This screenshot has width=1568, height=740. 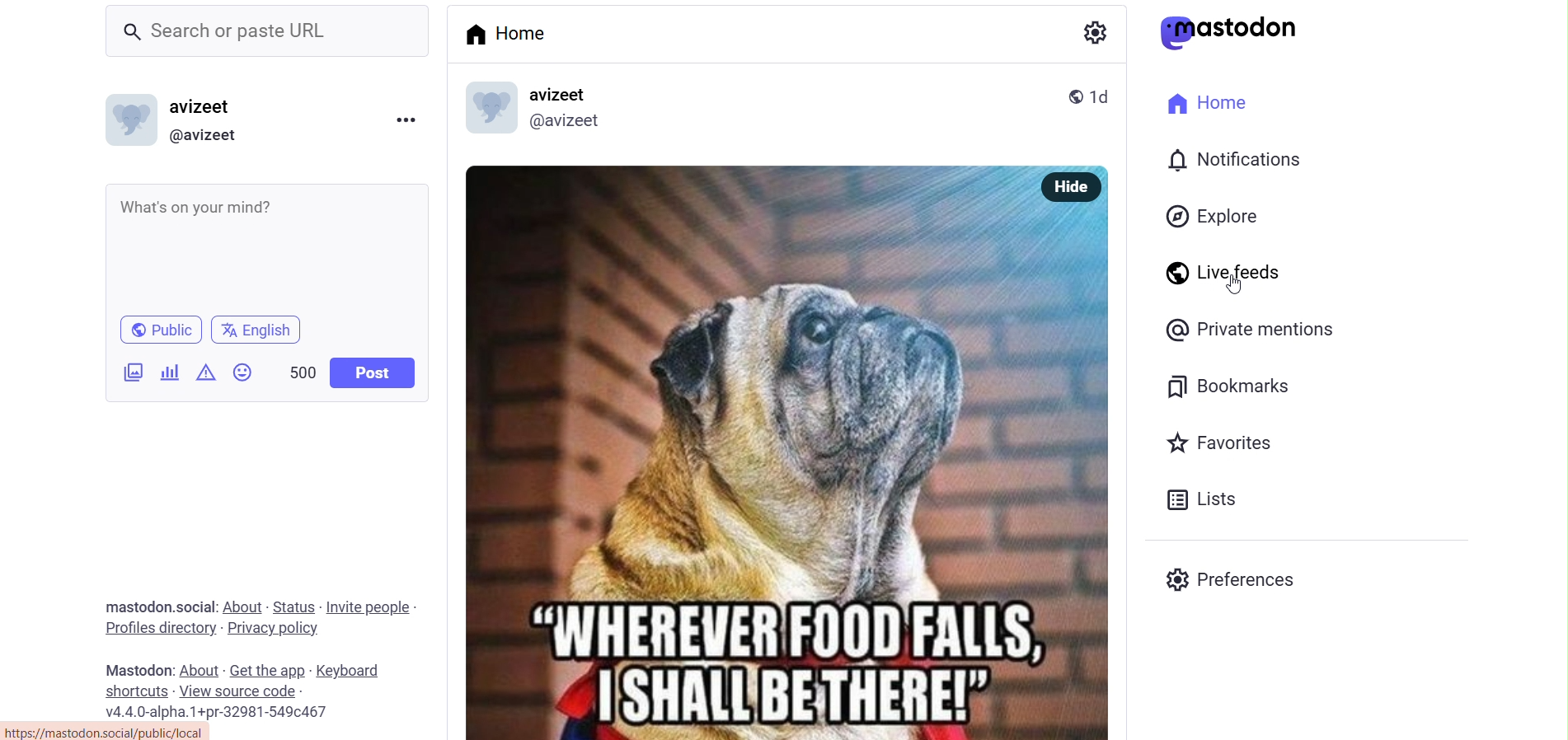 What do you see at coordinates (302, 372) in the screenshot?
I see `500` at bounding box center [302, 372].